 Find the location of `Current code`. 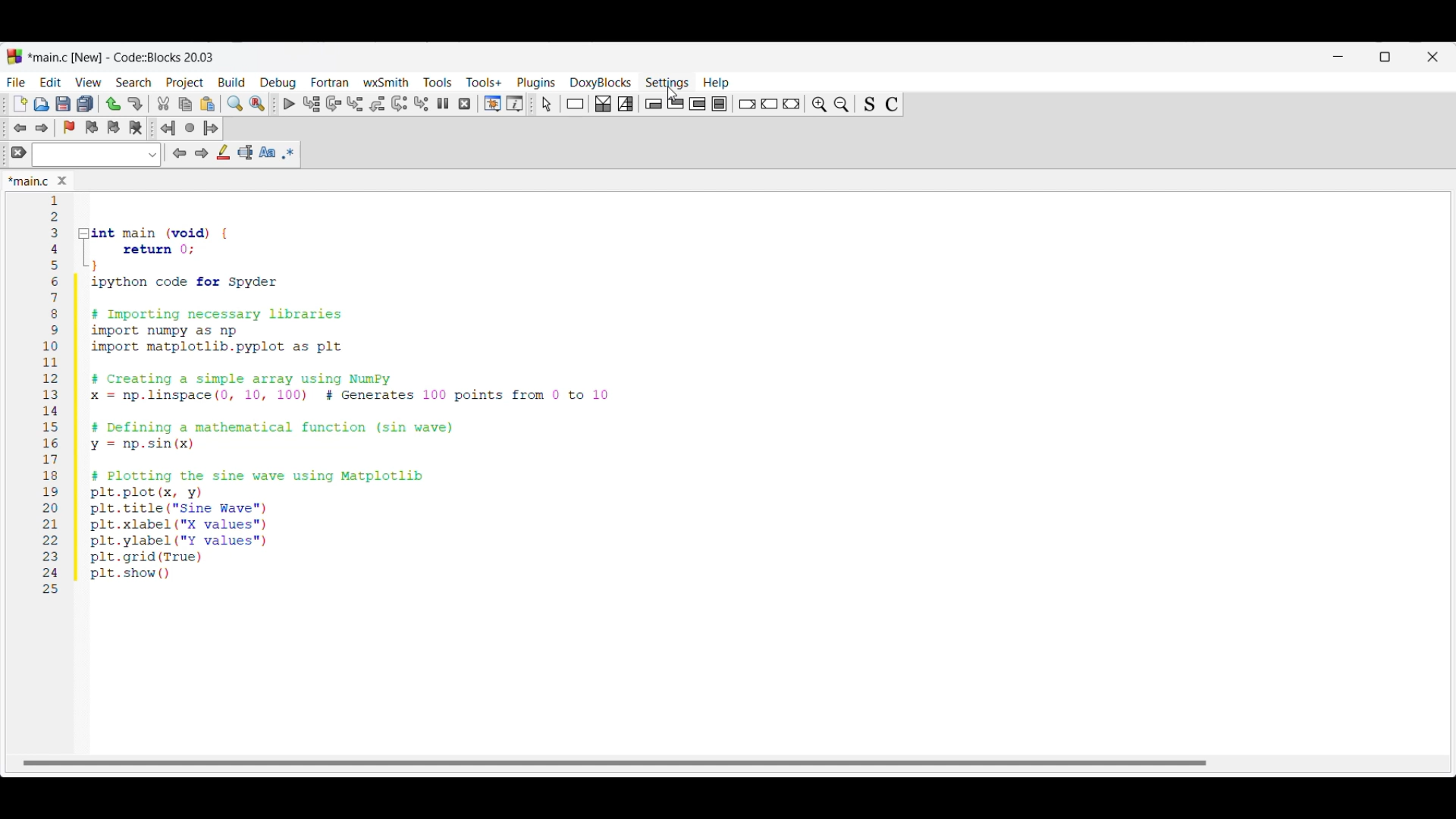

Current code is located at coordinates (328, 395).